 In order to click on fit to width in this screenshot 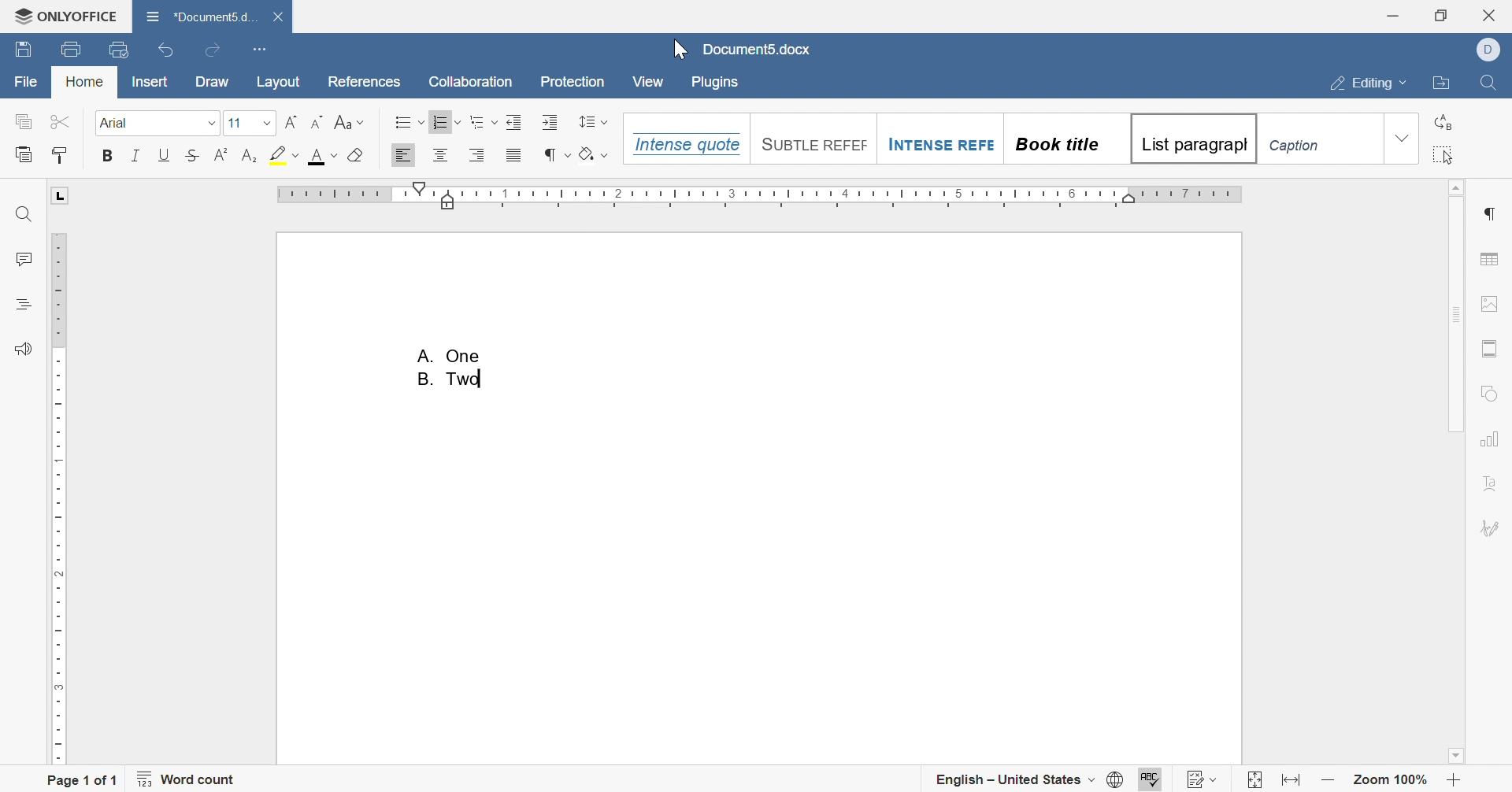, I will do `click(1294, 781)`.